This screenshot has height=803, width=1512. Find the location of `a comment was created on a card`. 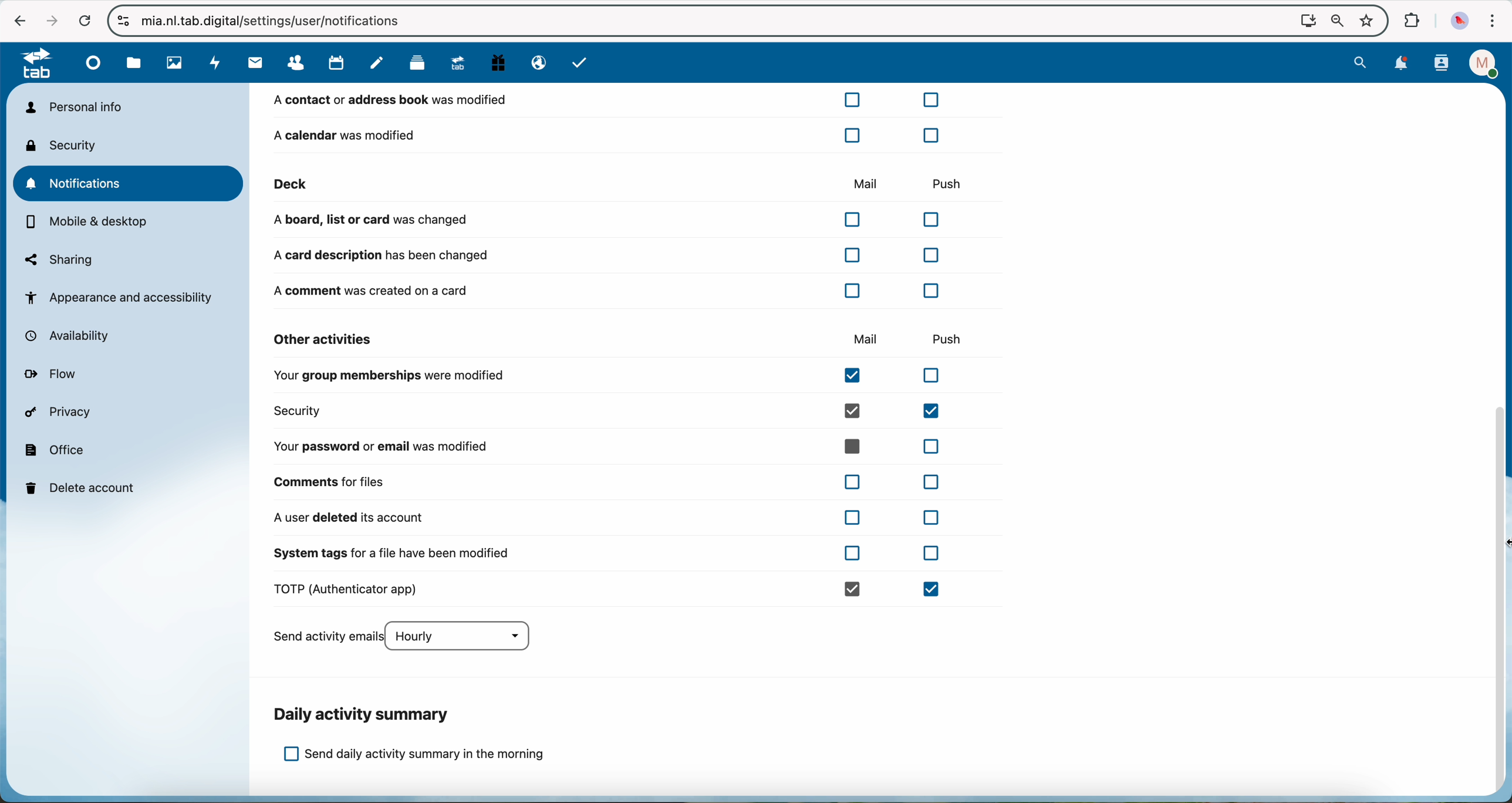

a comment was created on a card is located at coordinates (612, 290).